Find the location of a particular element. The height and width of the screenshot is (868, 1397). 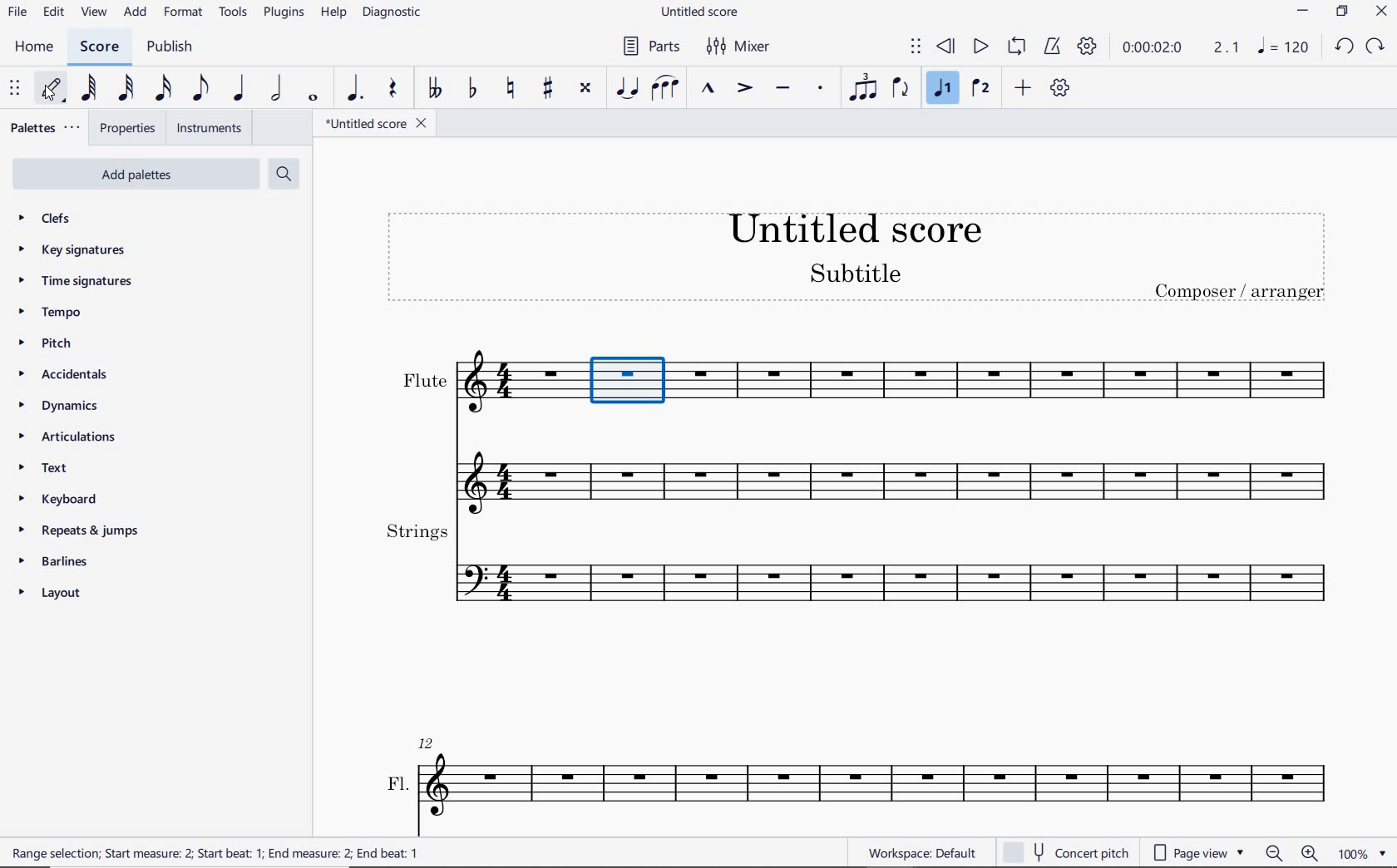

zoom factor is located at coordinates (1360, 852).